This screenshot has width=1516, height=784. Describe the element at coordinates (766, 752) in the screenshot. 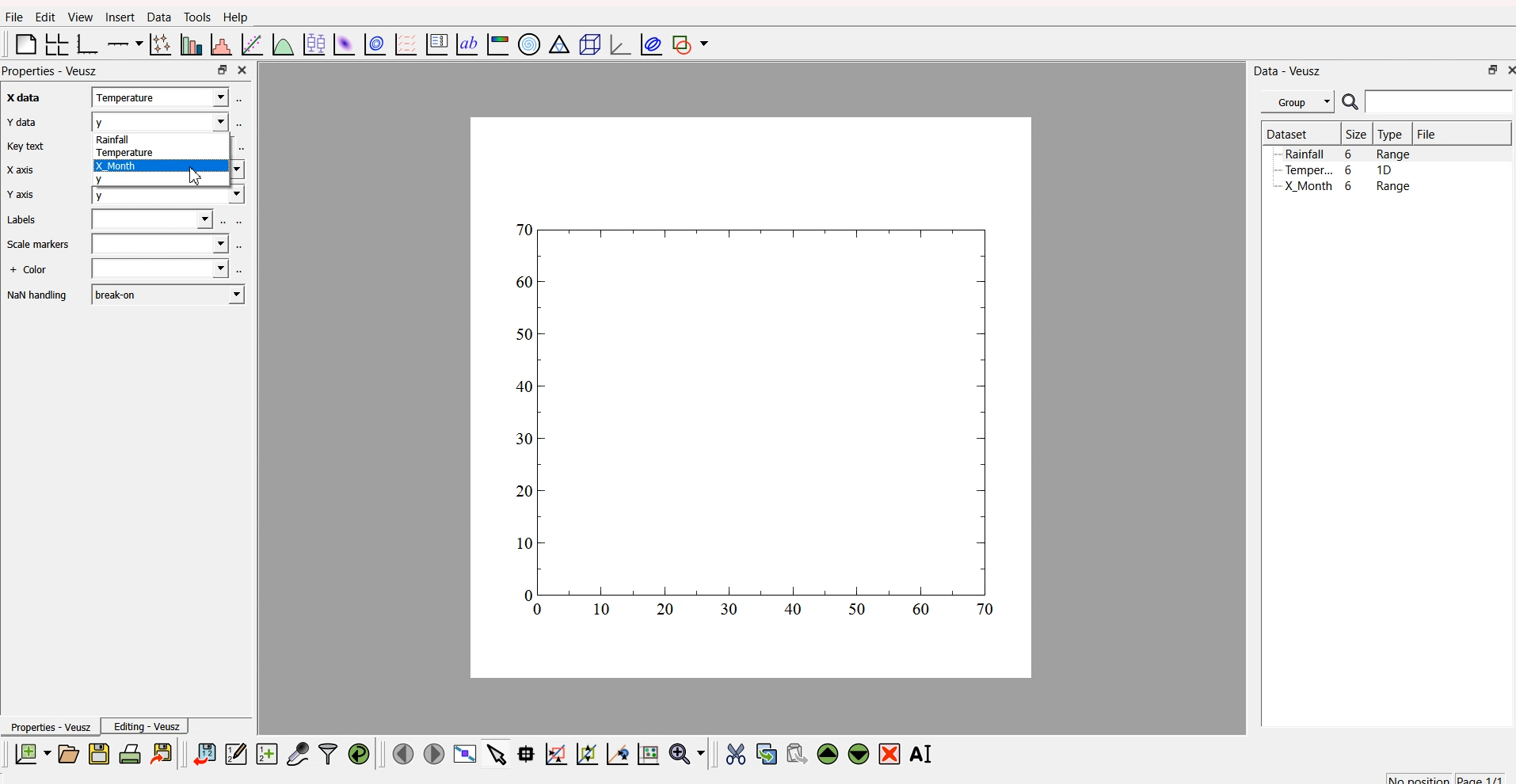

I see `copy the widget` at that location.